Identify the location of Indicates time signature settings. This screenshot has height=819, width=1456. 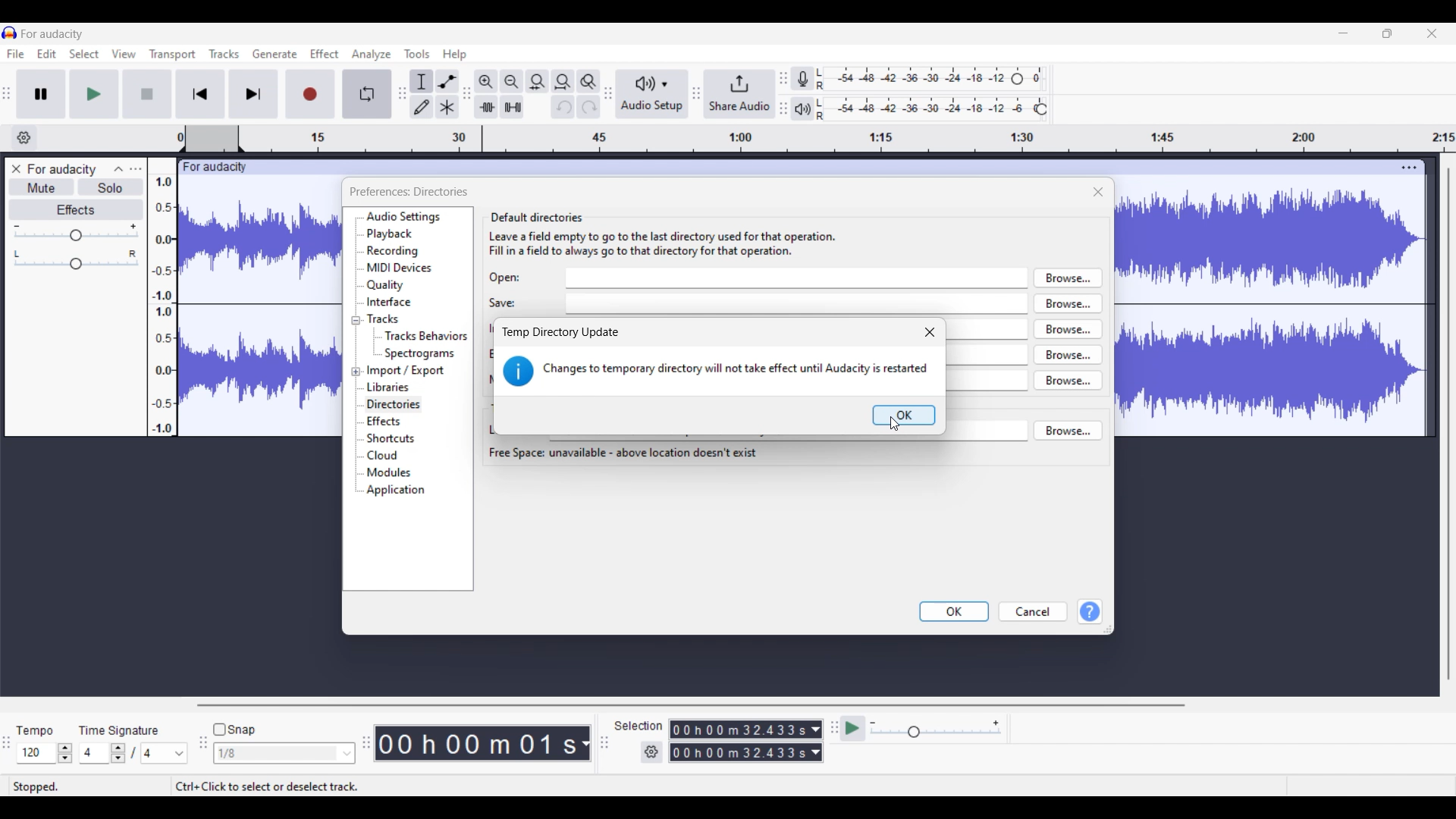
(119, 730).